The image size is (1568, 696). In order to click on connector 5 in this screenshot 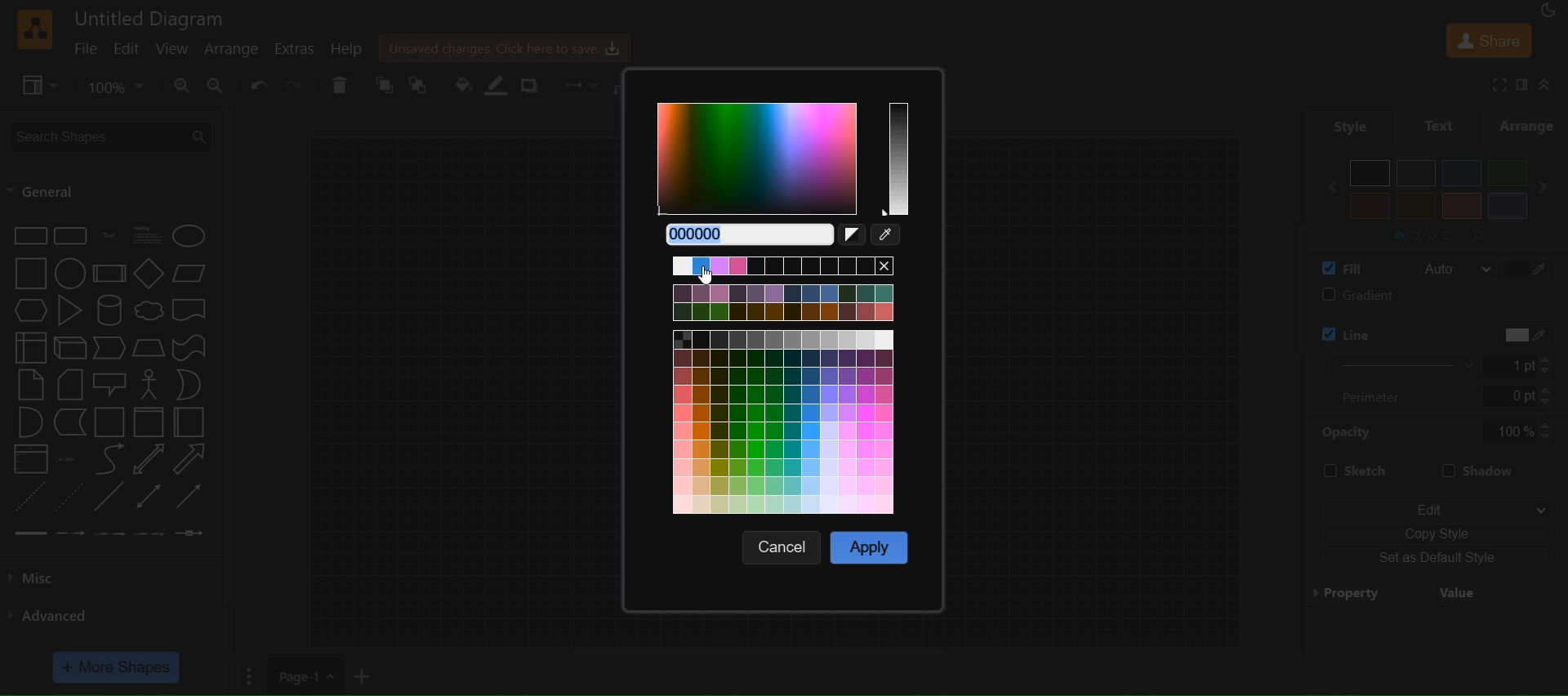, I will do `click(189, 533)`.